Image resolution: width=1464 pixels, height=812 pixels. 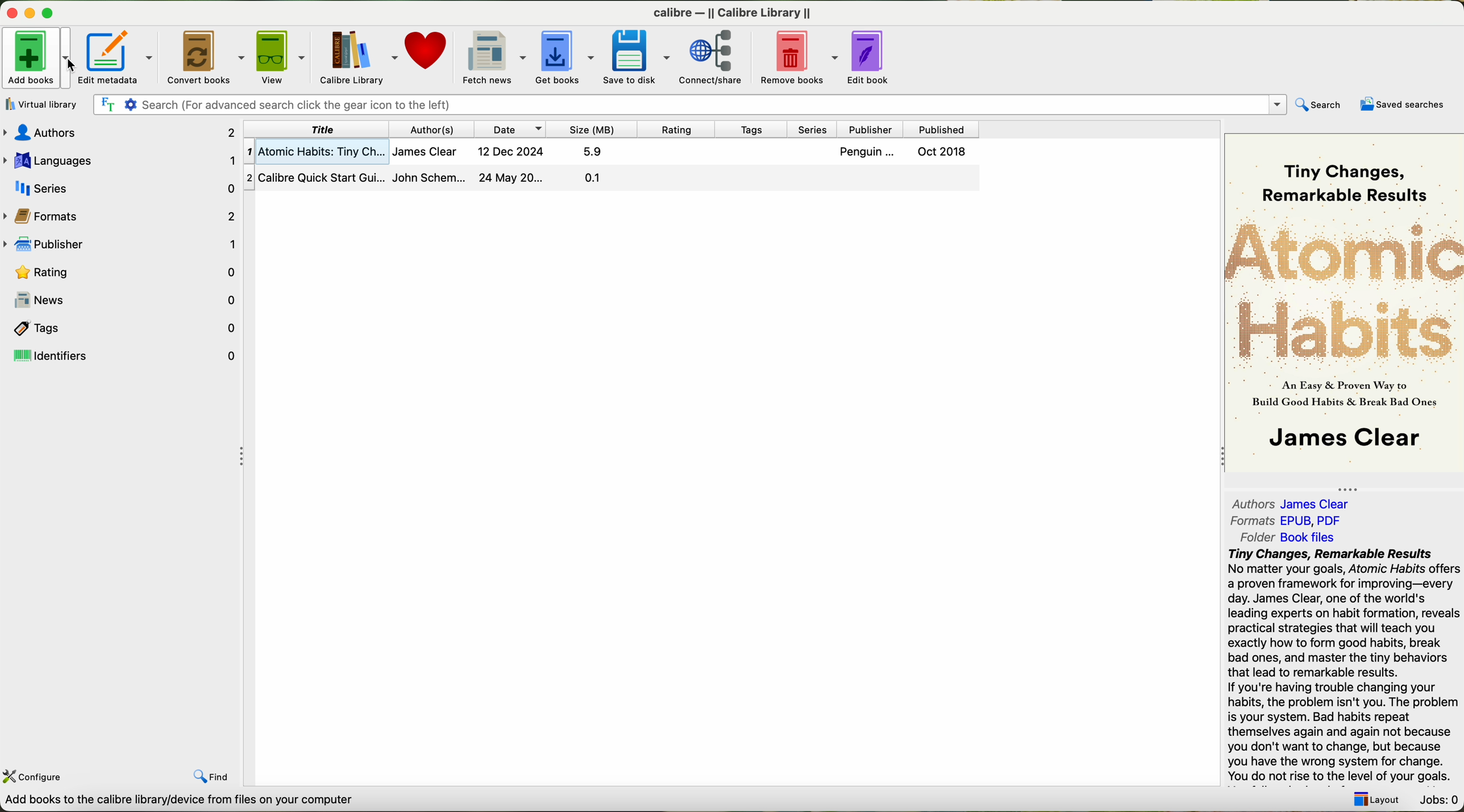 What do you see at coordinates (942, 128) in the screenshot?
I see `published` at bounding box center [942, 128].